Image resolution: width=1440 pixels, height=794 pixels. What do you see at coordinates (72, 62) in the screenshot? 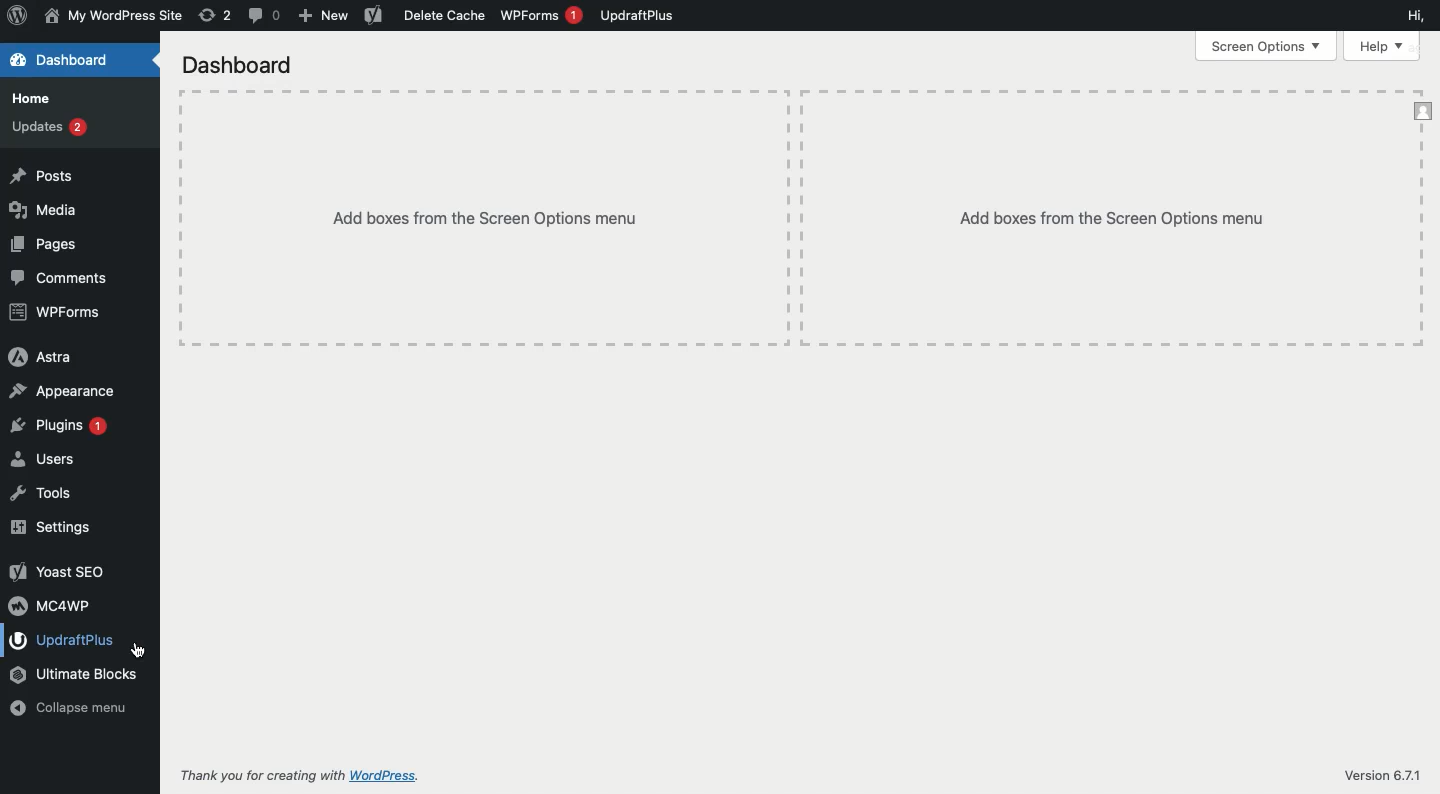
I see `Dashboard` at bounding box center [72, 62].